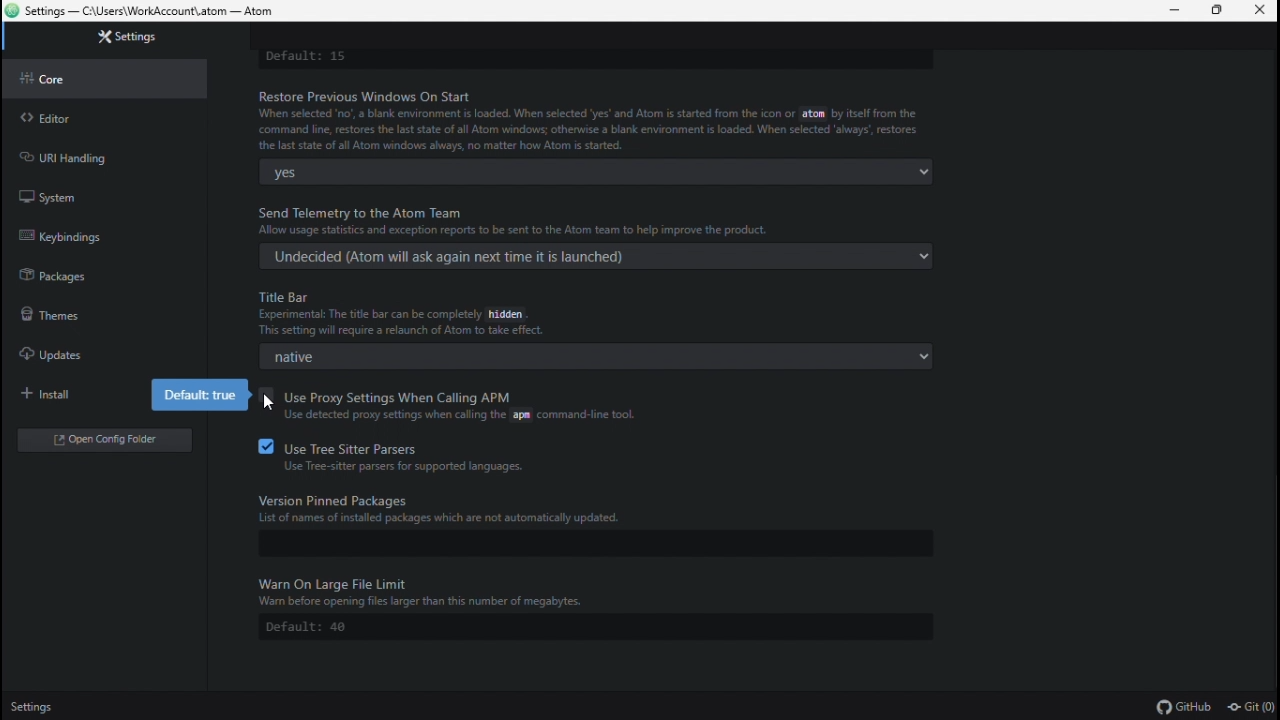 The height and width of the screenshot is (720, 1280). I want to click on install, so click(75, 396).